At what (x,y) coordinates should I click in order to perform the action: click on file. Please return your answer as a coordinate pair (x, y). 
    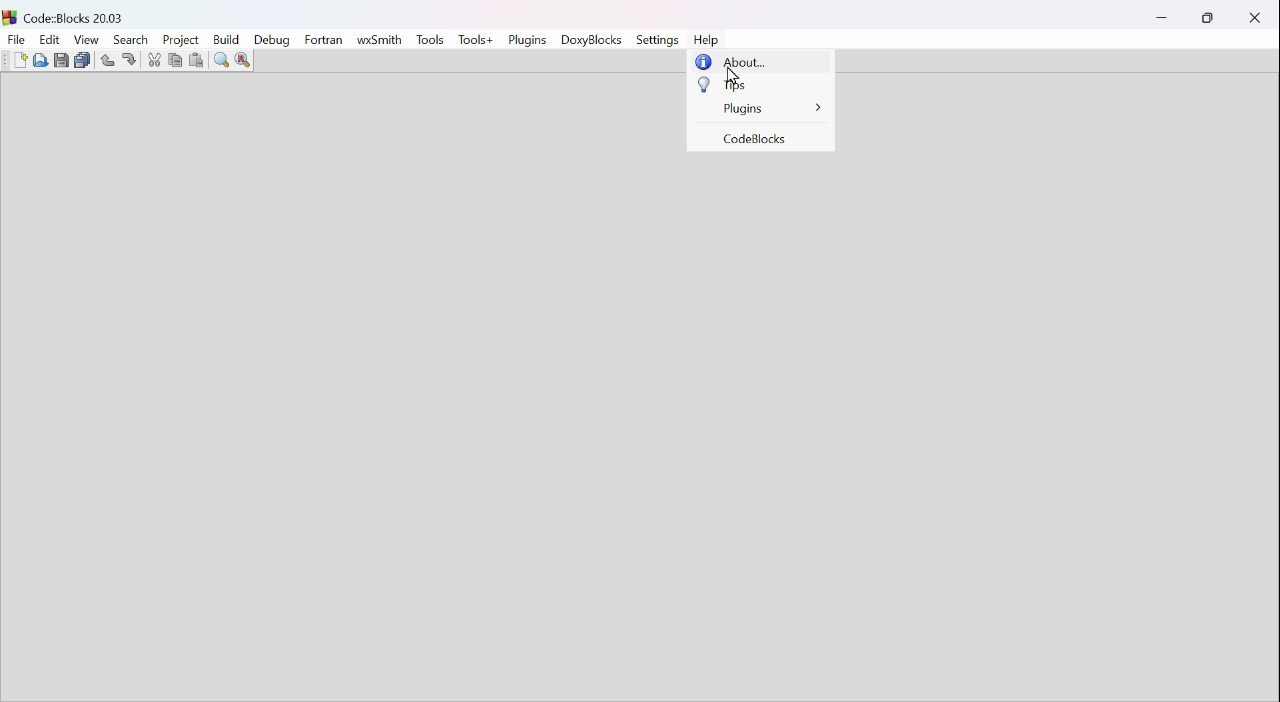
    Looking at the image, I should click on (16, 40).